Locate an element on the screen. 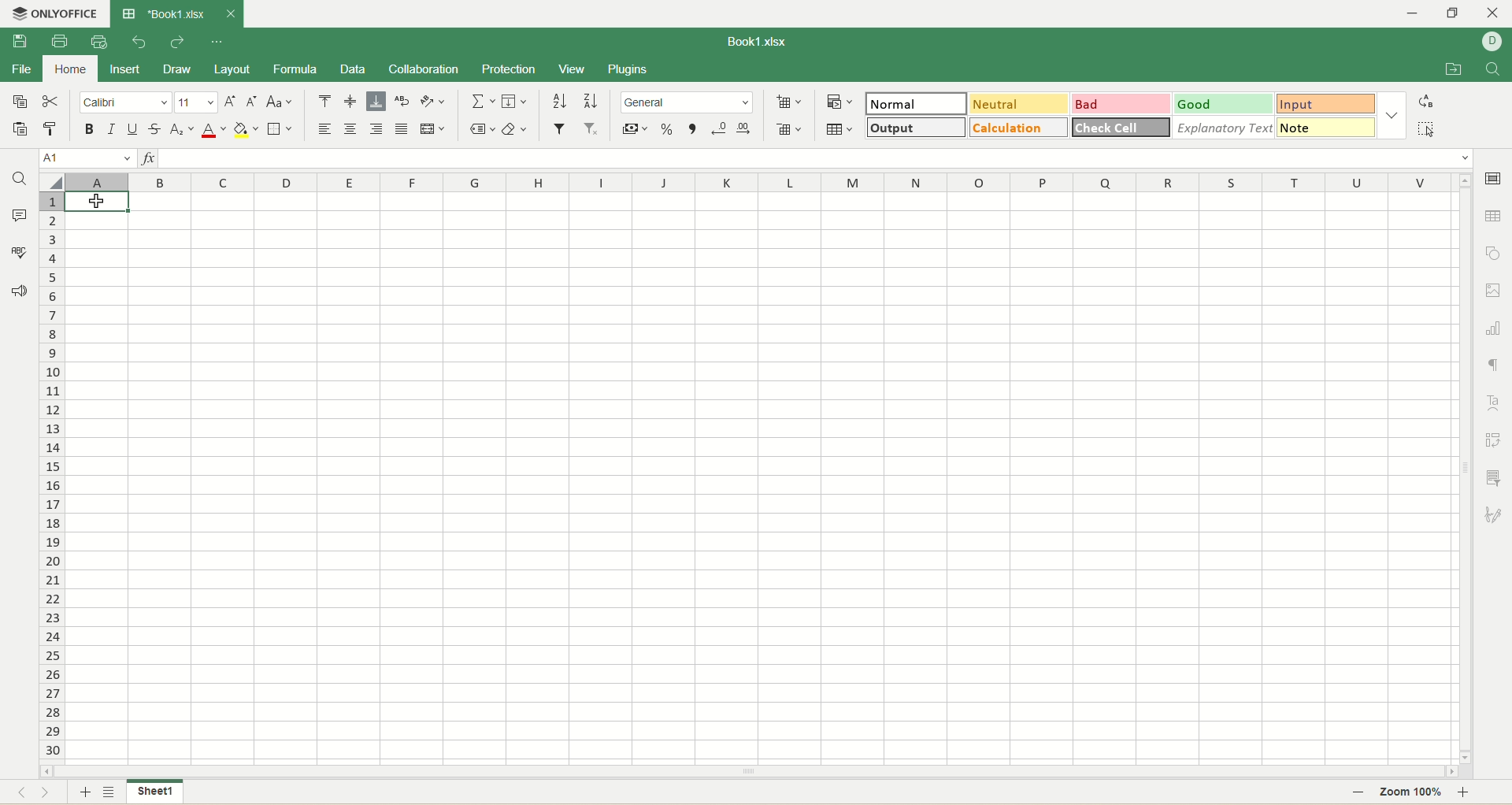 This screenshot has width=1512, height=805. good is located at coordinates (1225, 104).